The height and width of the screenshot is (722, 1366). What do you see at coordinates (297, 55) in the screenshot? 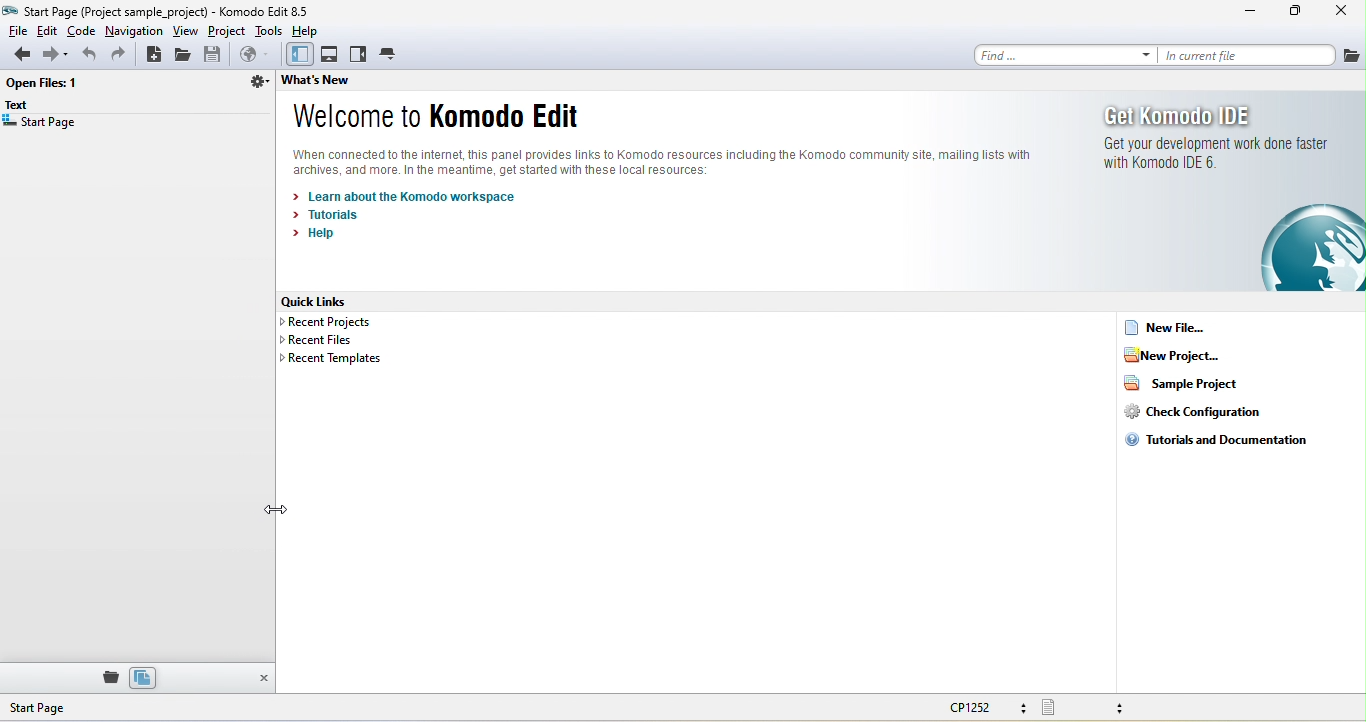
I see `left pane` at bounding box center [297, 55].